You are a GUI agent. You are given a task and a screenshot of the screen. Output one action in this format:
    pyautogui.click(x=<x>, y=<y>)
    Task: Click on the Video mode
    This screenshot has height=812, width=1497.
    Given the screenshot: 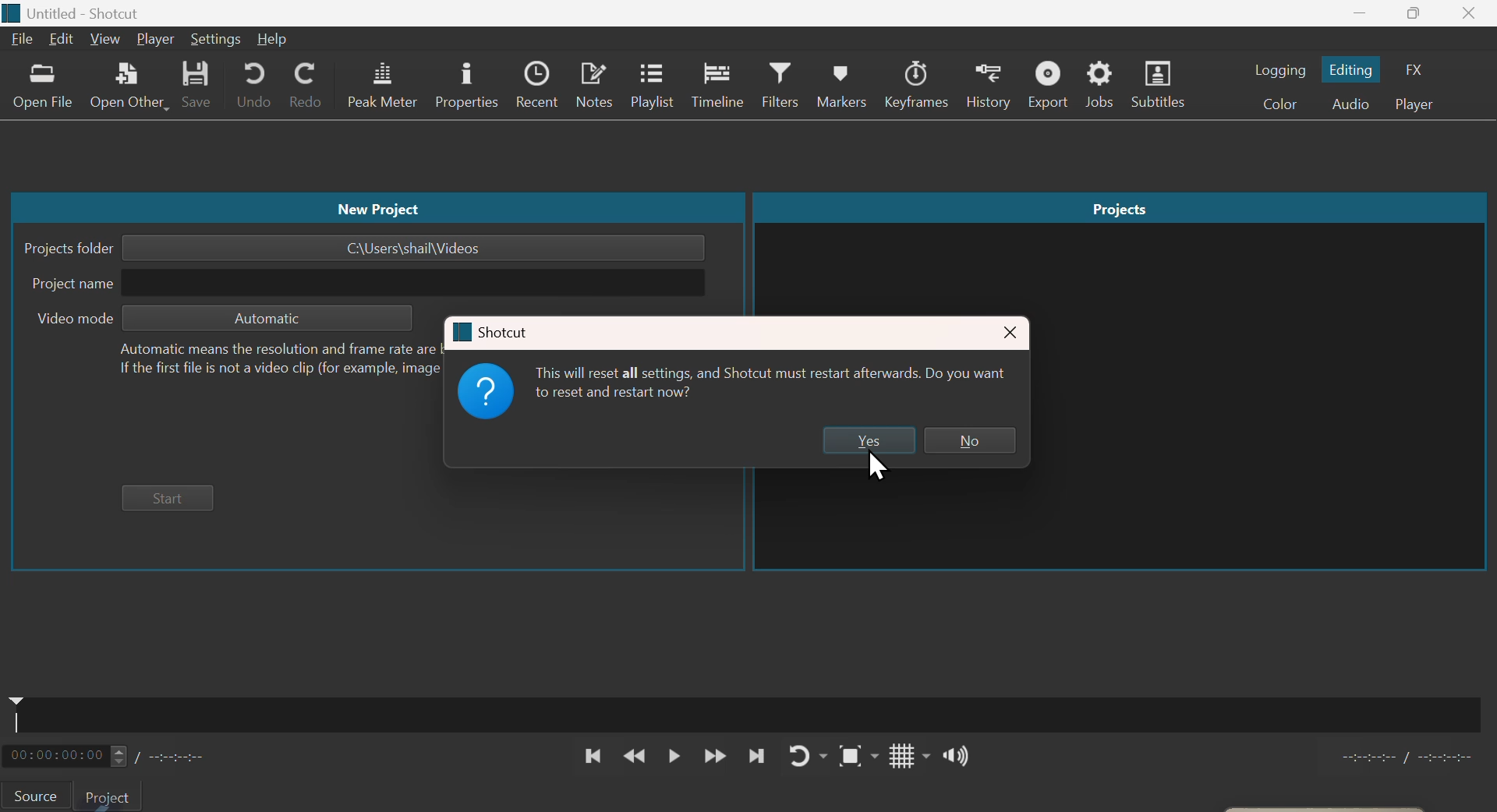 What is the action you would take?
    pyautogui.click(x=71, y=319)
    